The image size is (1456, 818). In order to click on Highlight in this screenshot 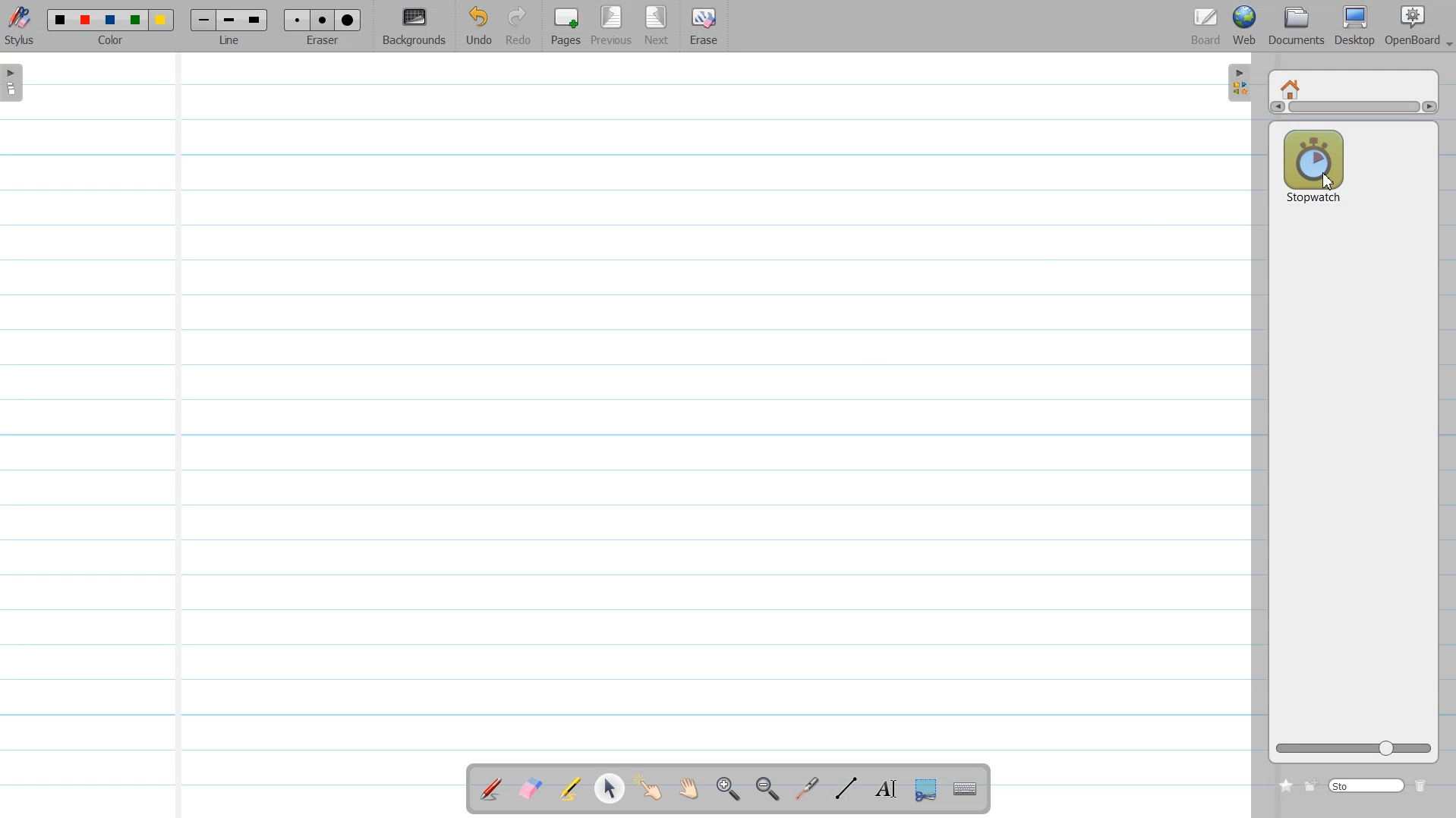, I will do `click(571, 788)`.